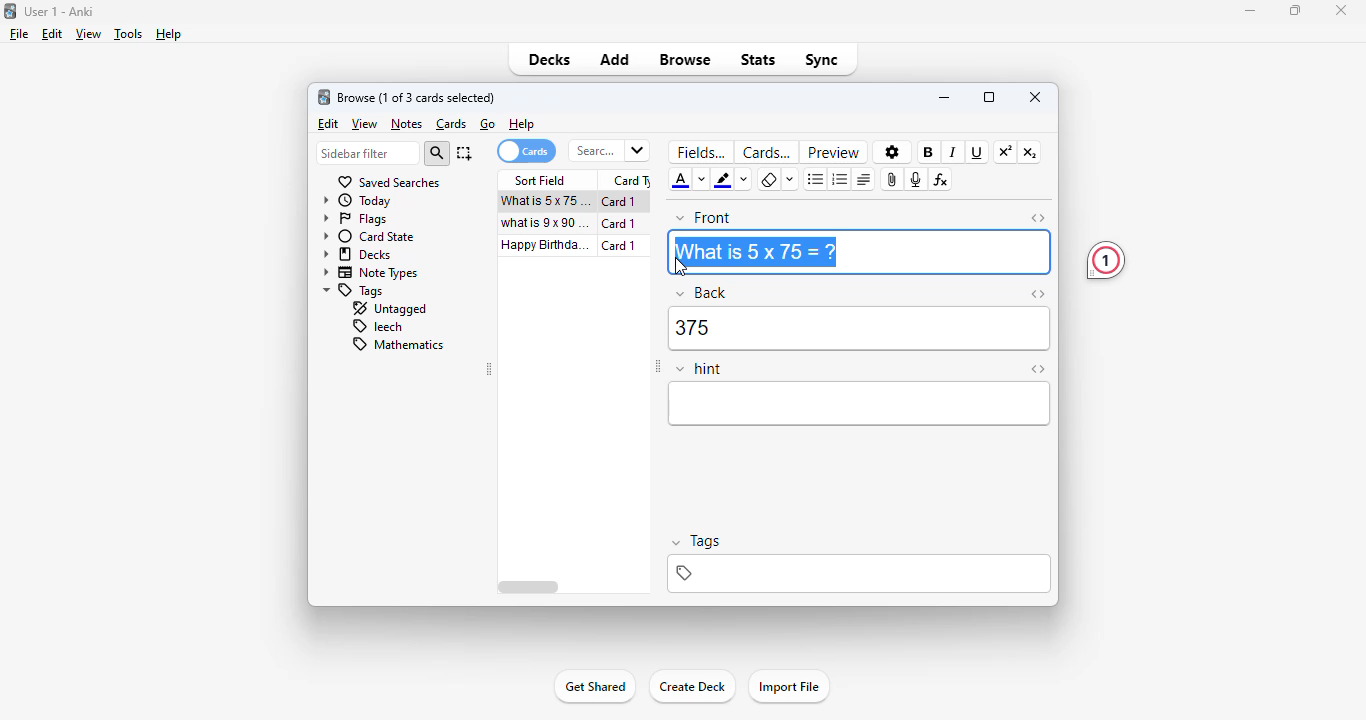 This screenshot has height=720, width=1366. I want to click on back, so click(702, 293).